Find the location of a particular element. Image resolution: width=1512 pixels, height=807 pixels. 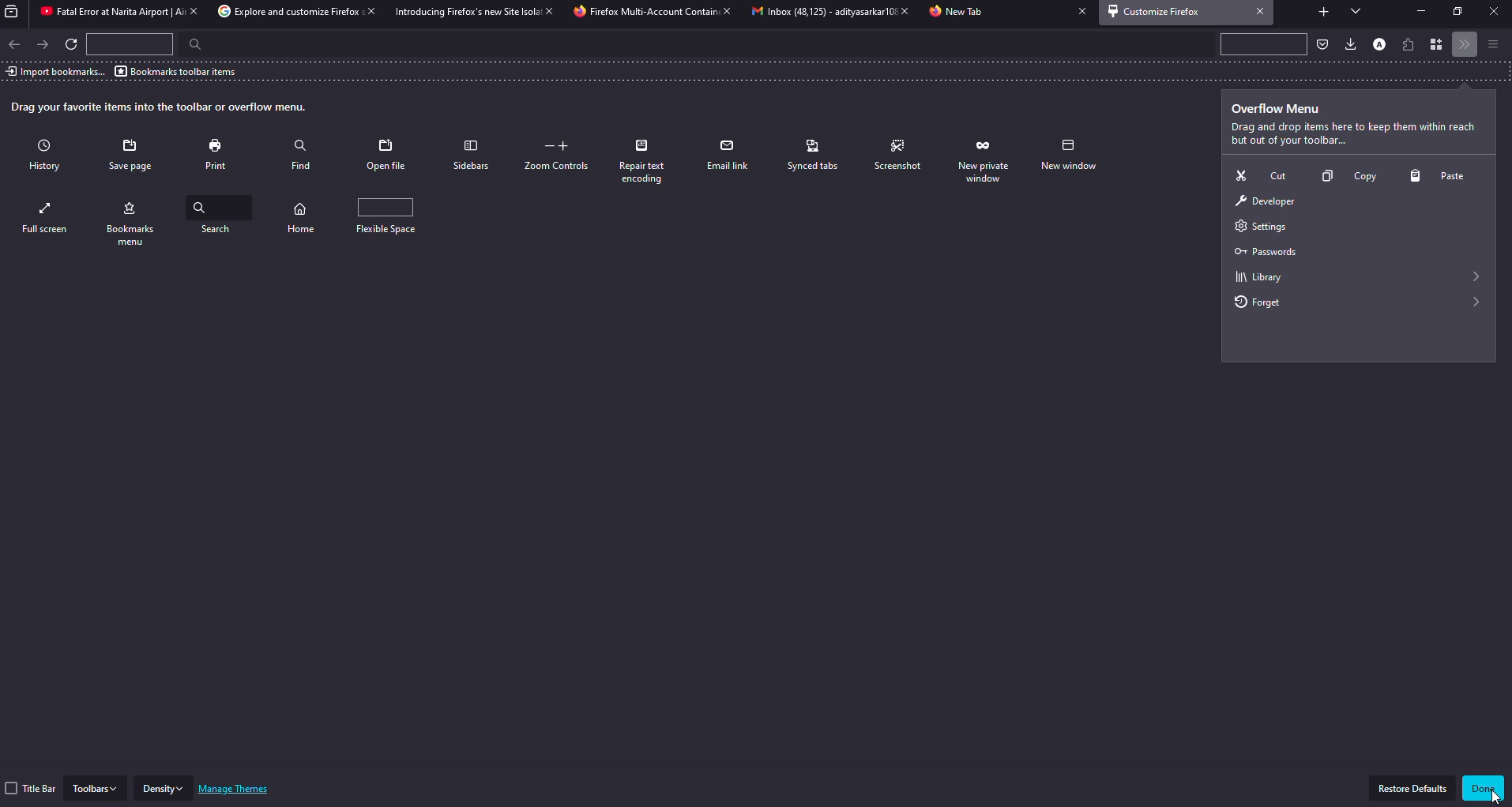

close is located at coordinates (191, 11).